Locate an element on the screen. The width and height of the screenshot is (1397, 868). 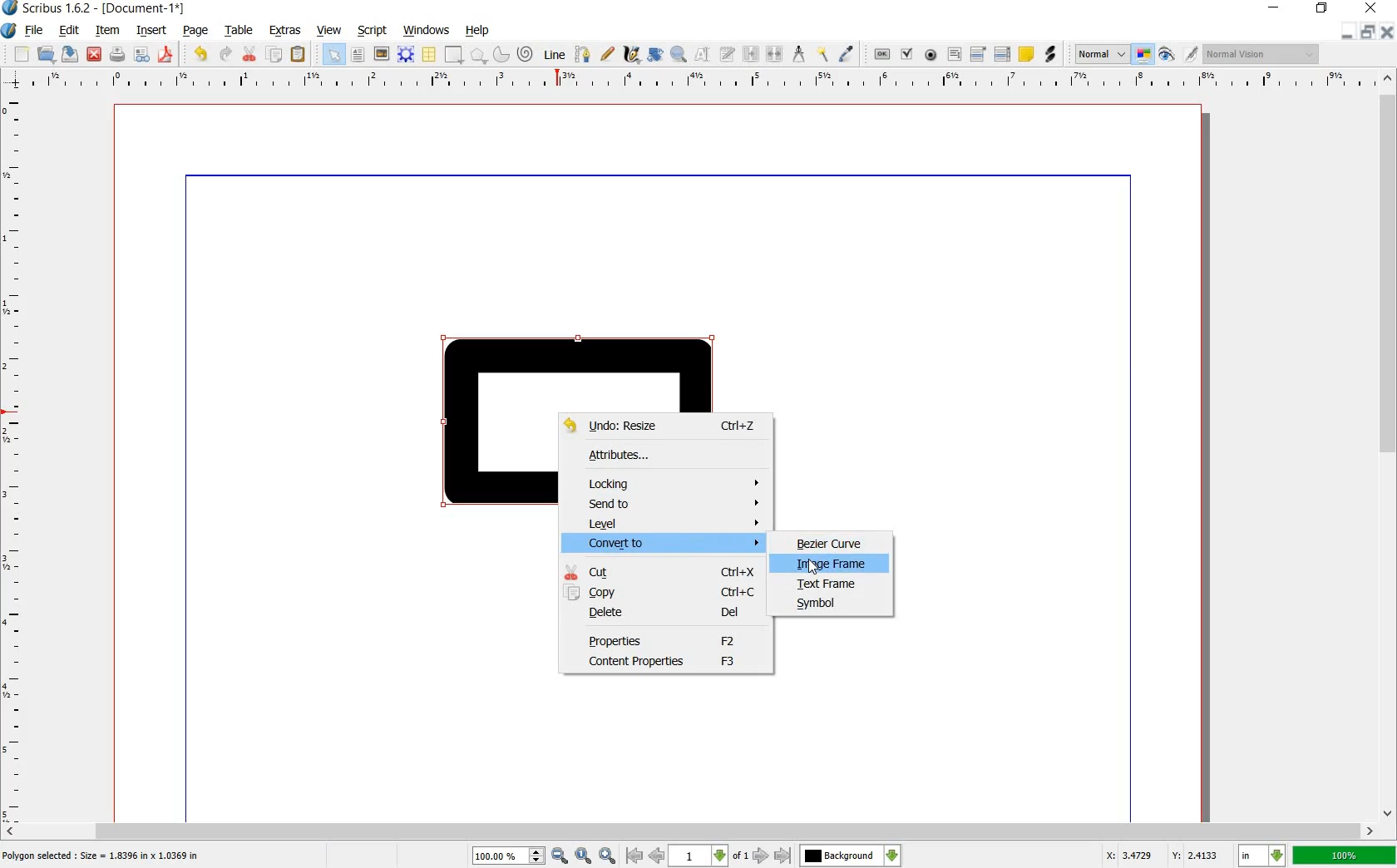
copy is located at coordinates (275, 56).